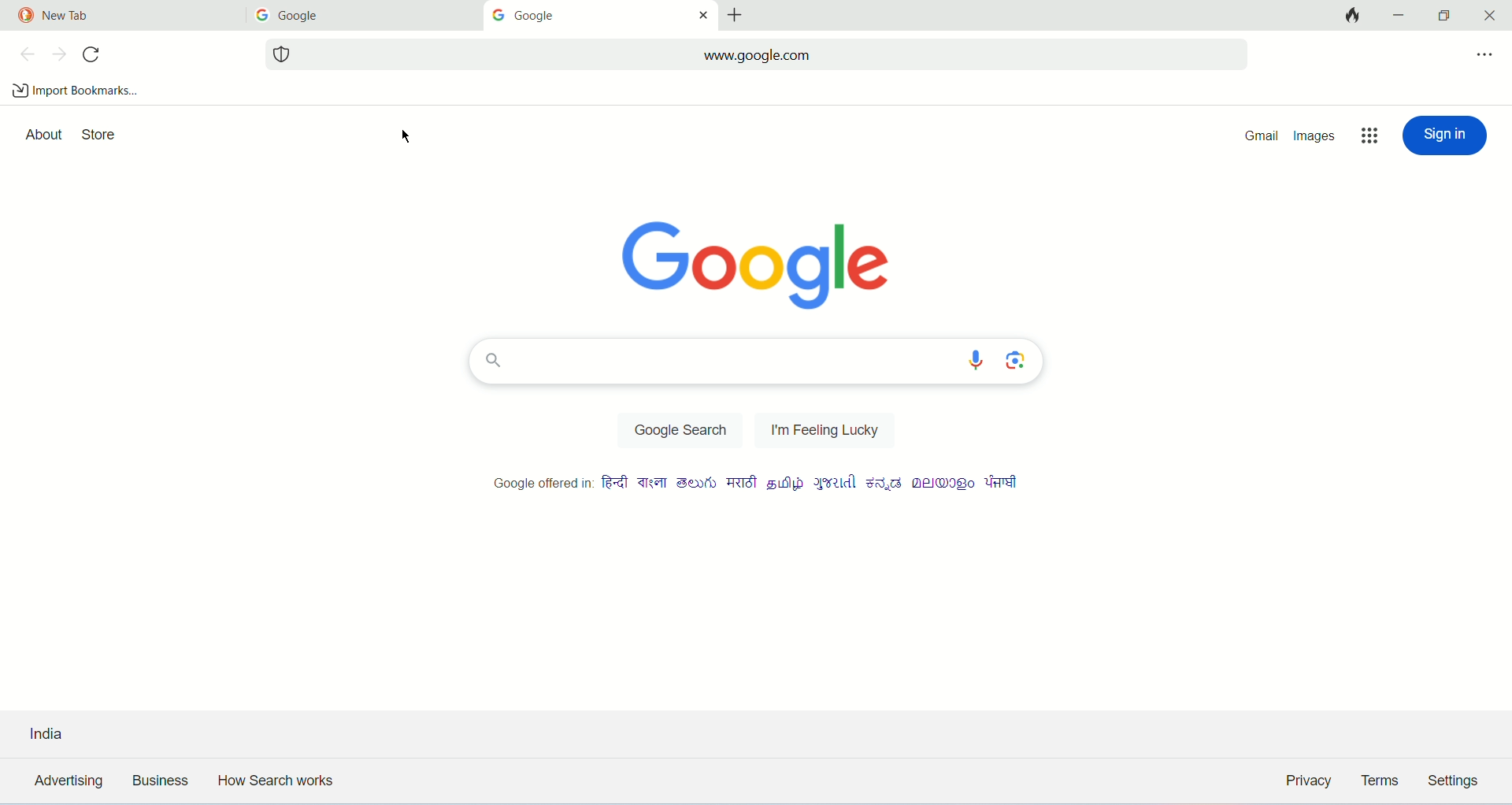  I want to click on store, so click(98, 135).